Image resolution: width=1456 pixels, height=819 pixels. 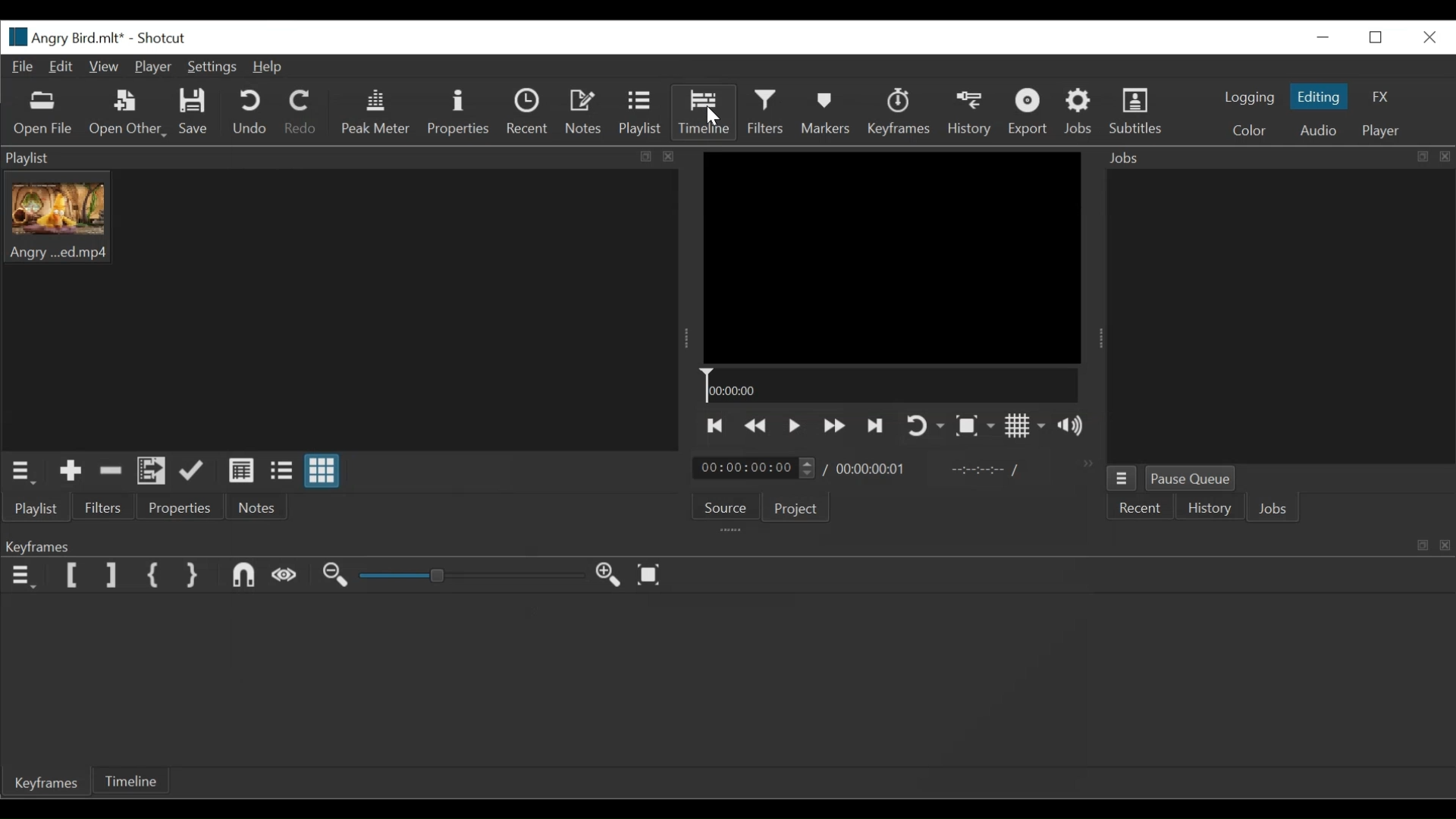 I want to click on imeline, so click(x=139, y=780).